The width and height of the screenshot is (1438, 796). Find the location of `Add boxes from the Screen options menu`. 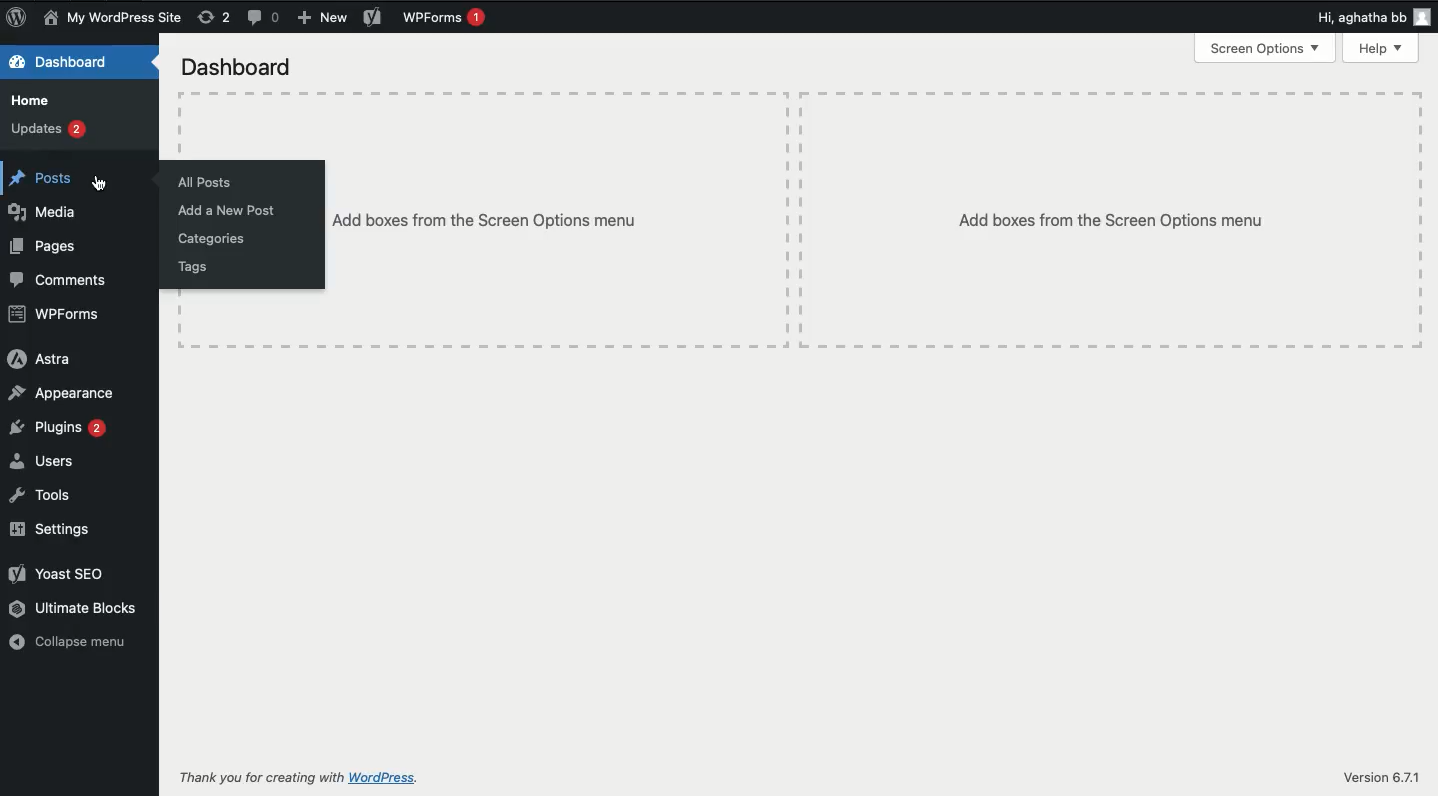

Add boxes from the Screen options menu is located at coordinates (1110, 220).